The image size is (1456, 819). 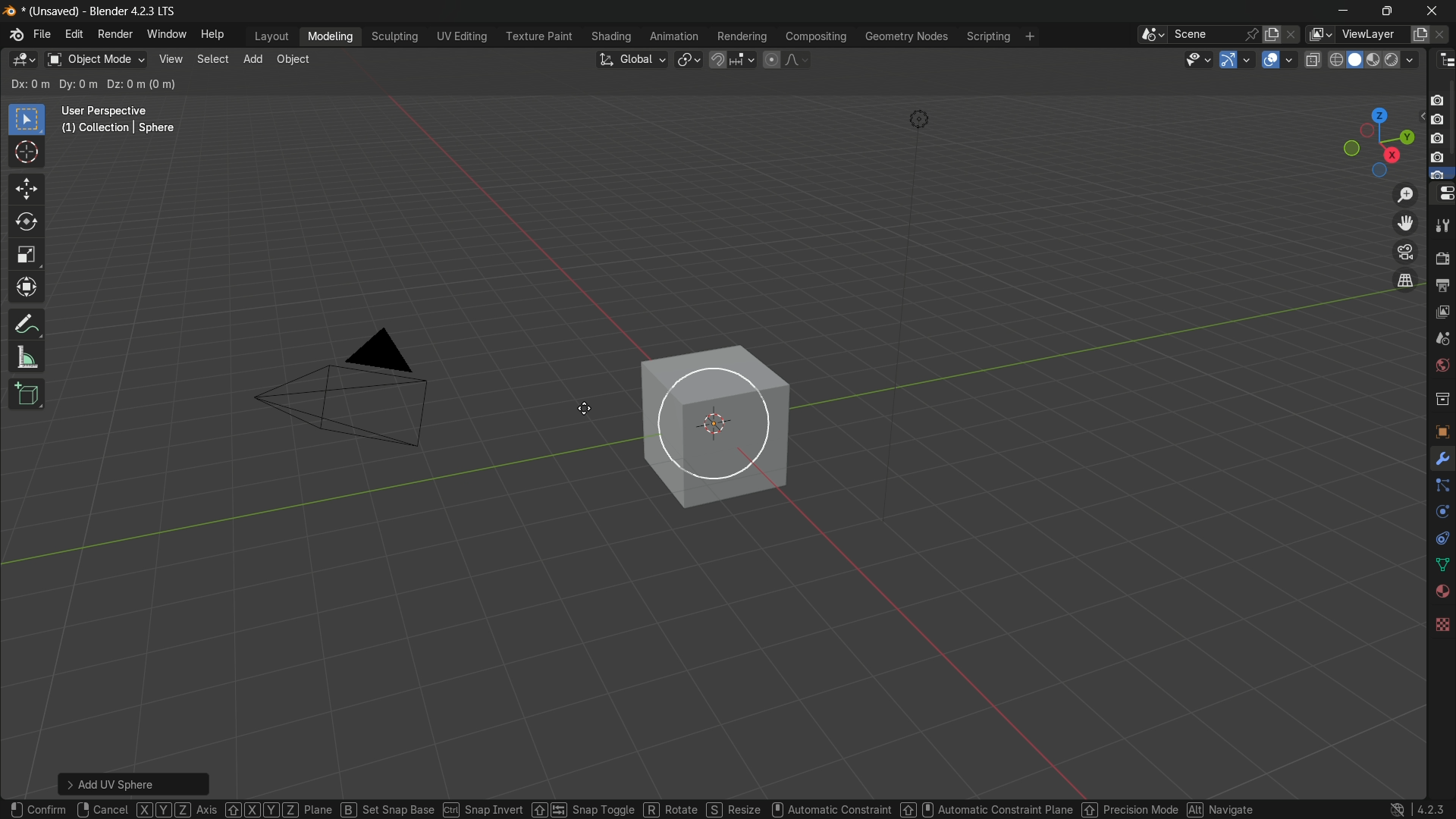 I want to click on view layer, so click(x=1443, y=312).